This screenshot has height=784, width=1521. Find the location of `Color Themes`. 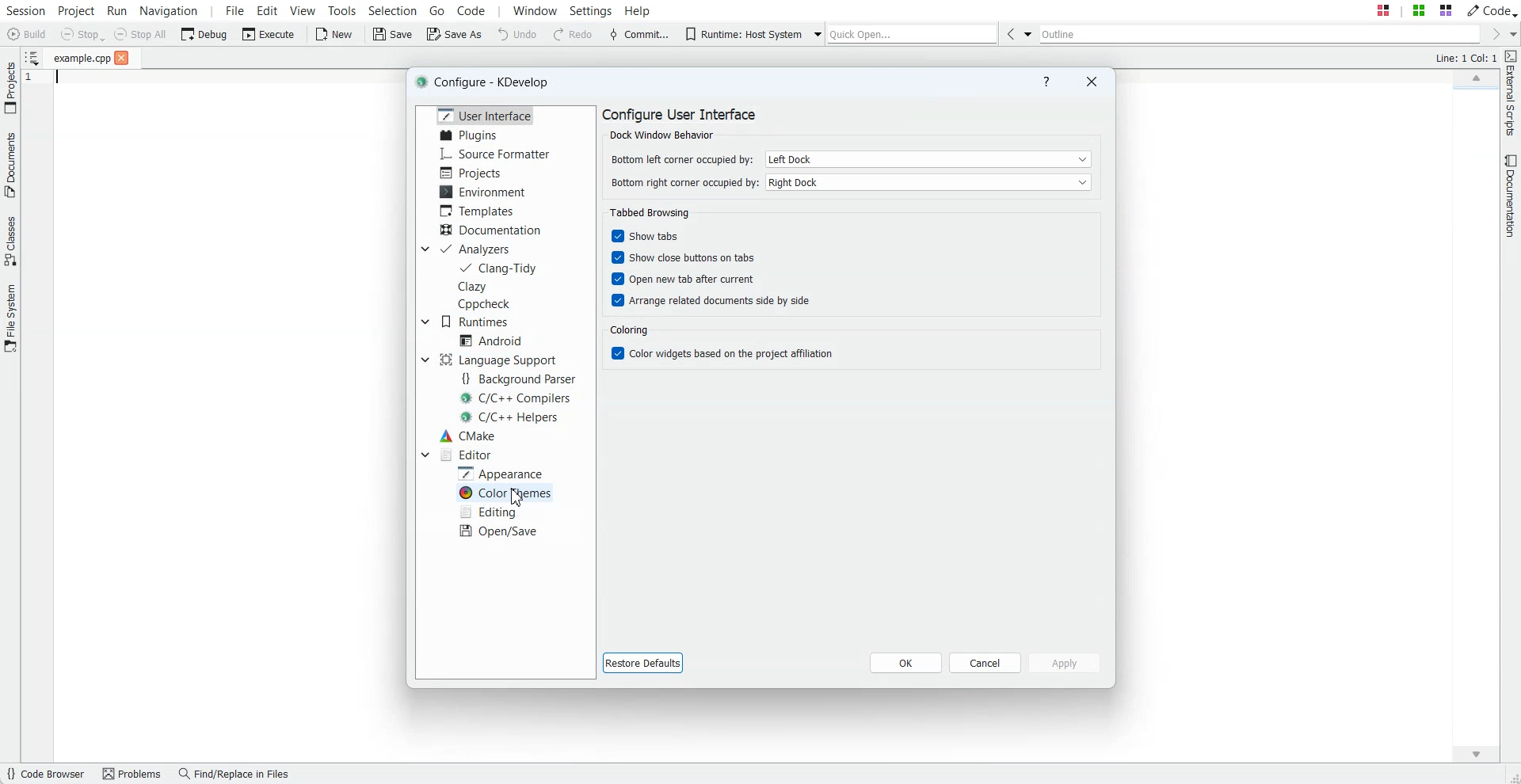

Color Themes is located at coordinates (507, 493).